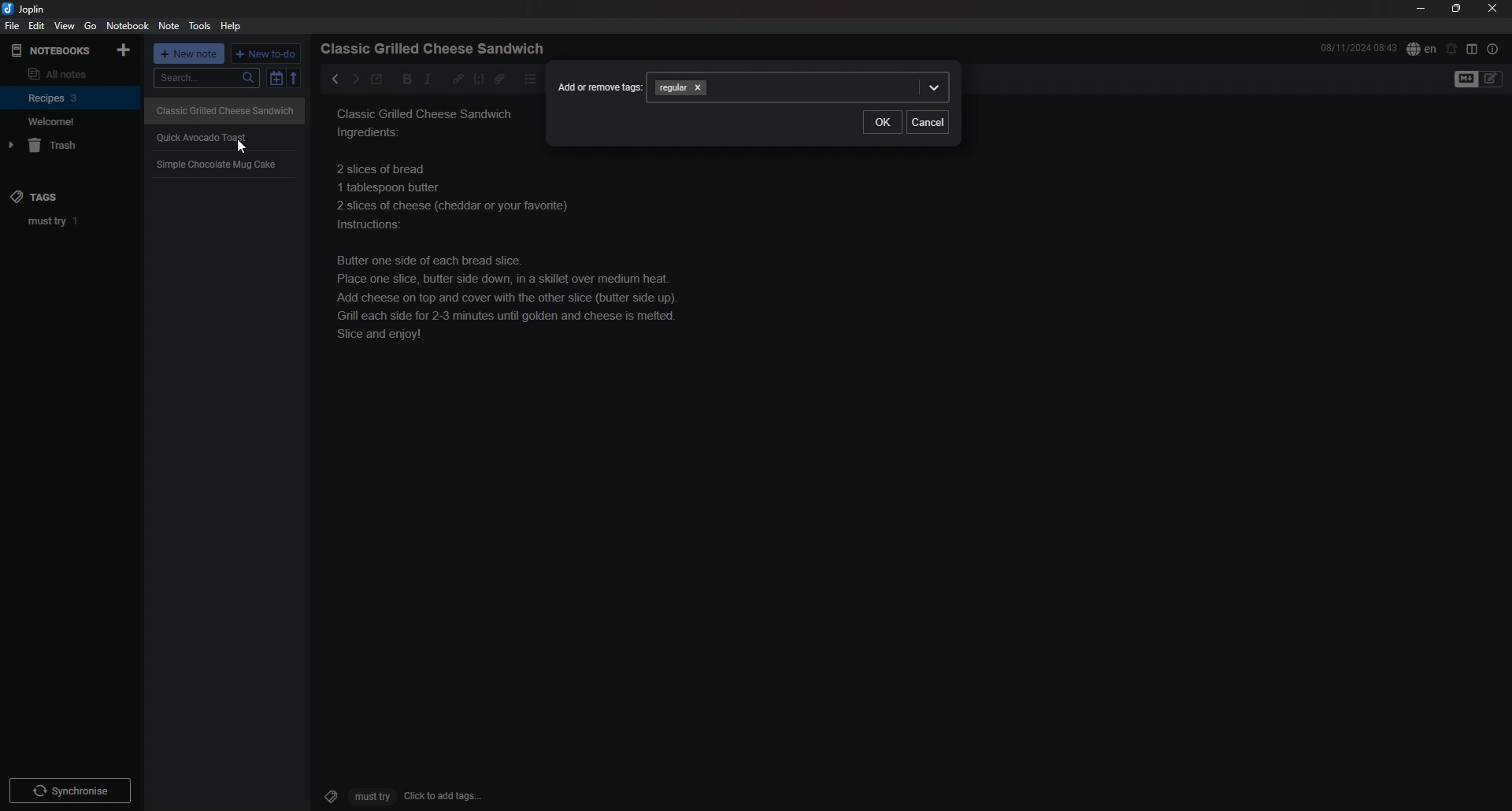 The height and width of the screenshot is (811, 1512). What do you see at coordinates (53, 50) in the screenshot?
I see `notebooks` at bounding box center [53, 50].